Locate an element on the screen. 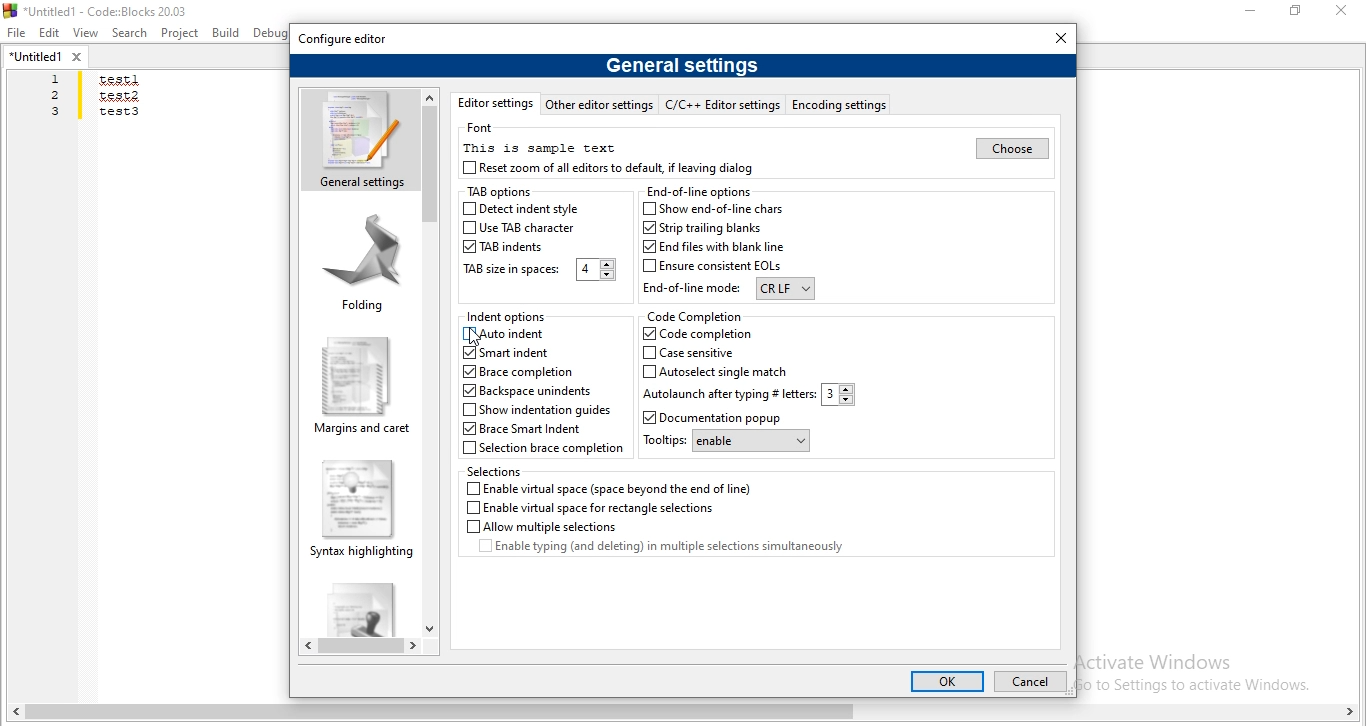  Font is located at coordinates (483, 128).